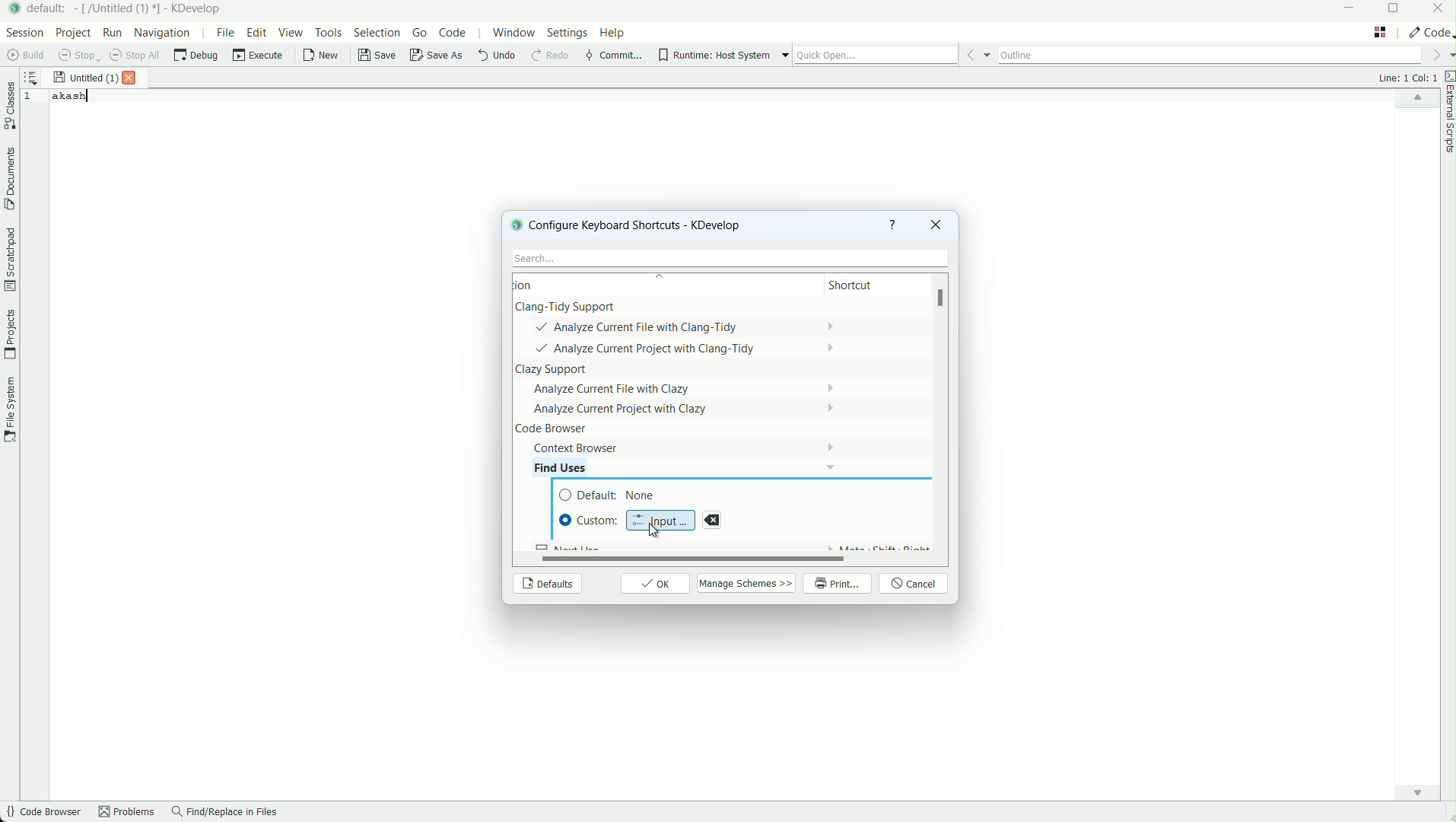 The image size is (1456, 822). What do you see at coordinates (127, 813) in the screenshot?
I see `problems` at bounding box center [127, 813].